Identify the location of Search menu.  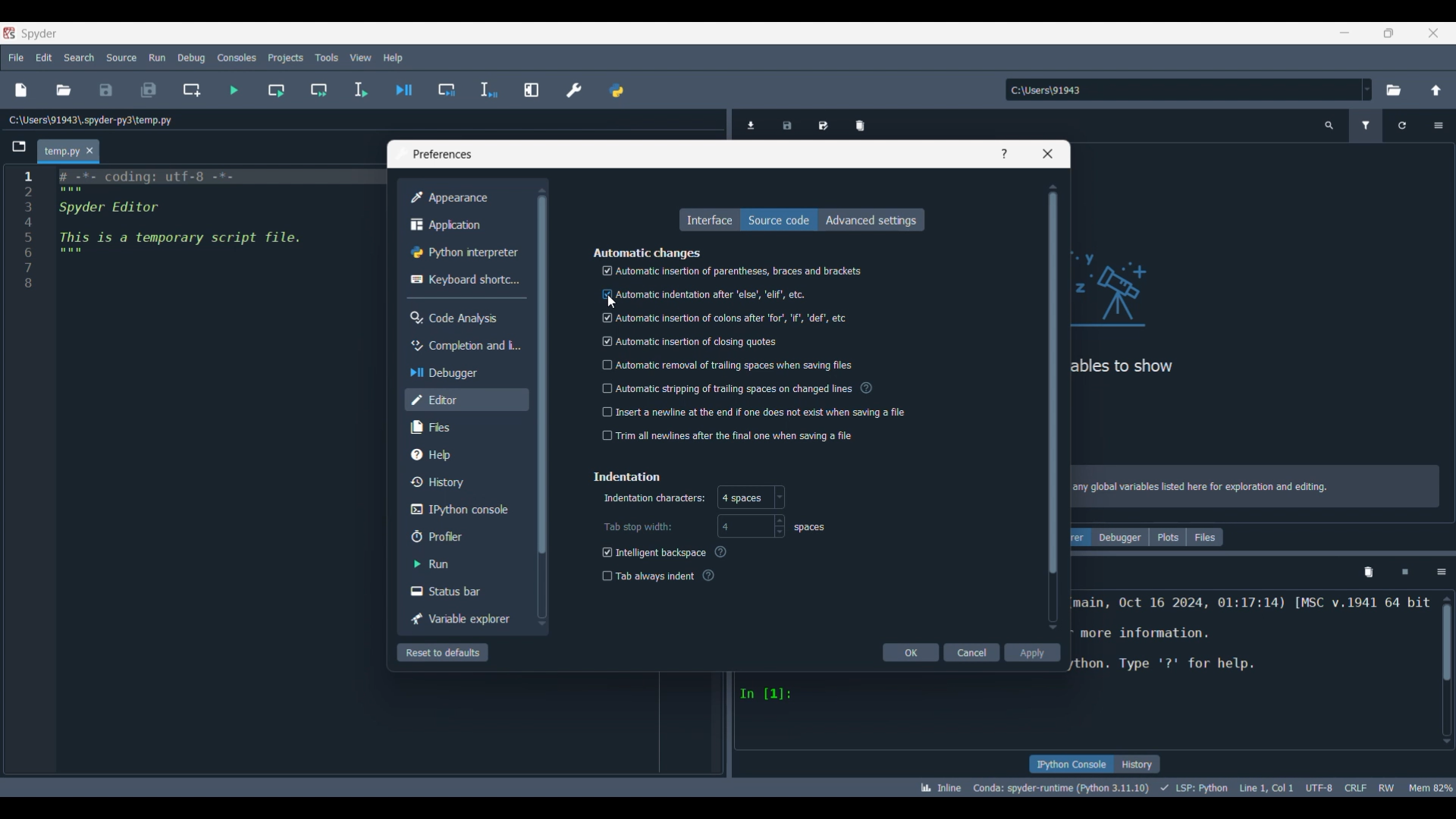
(79, 58).